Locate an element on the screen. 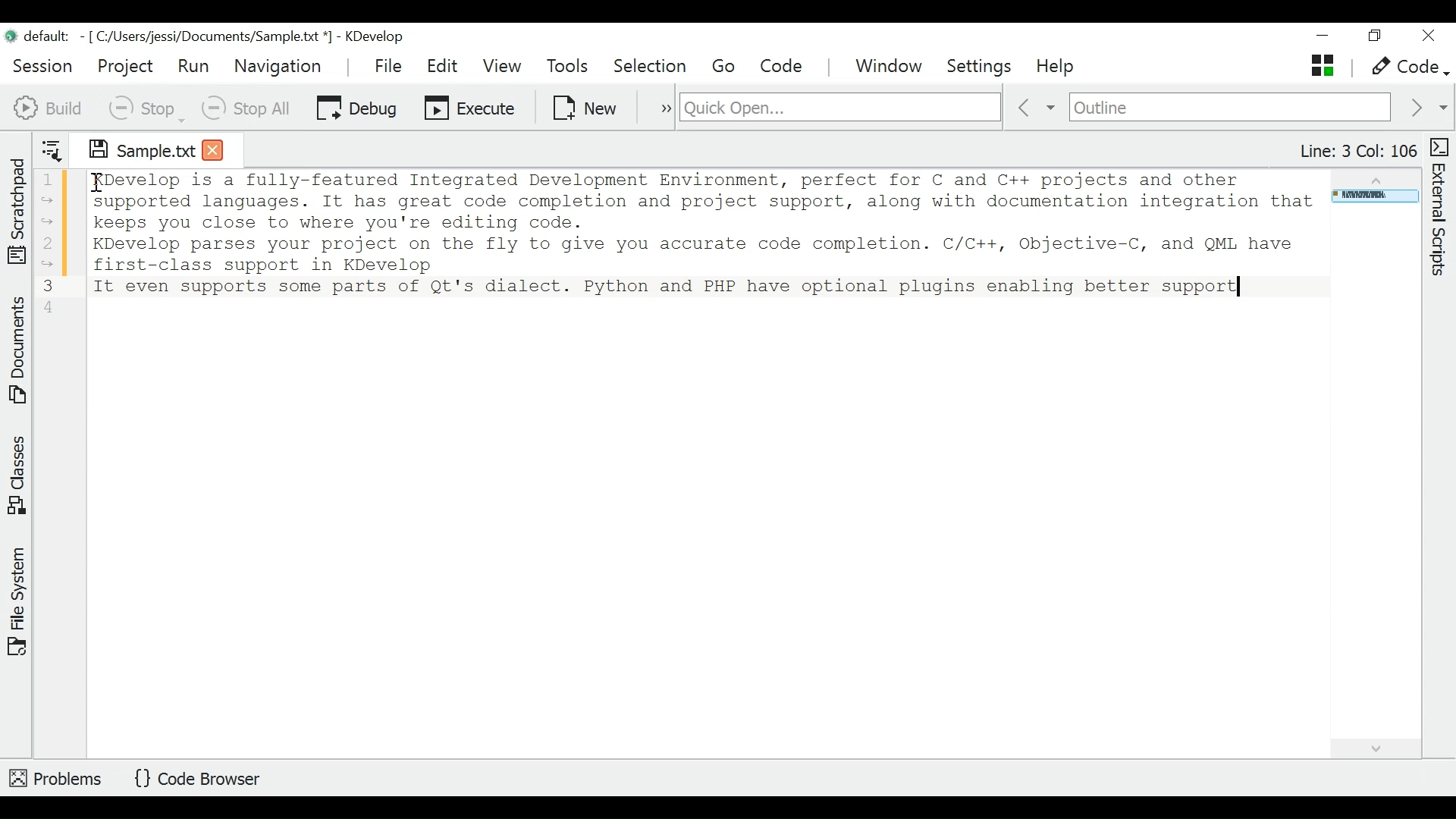 This screenshot has height=819, width=1456. External Scripts is located at coordinates (1442, 208).